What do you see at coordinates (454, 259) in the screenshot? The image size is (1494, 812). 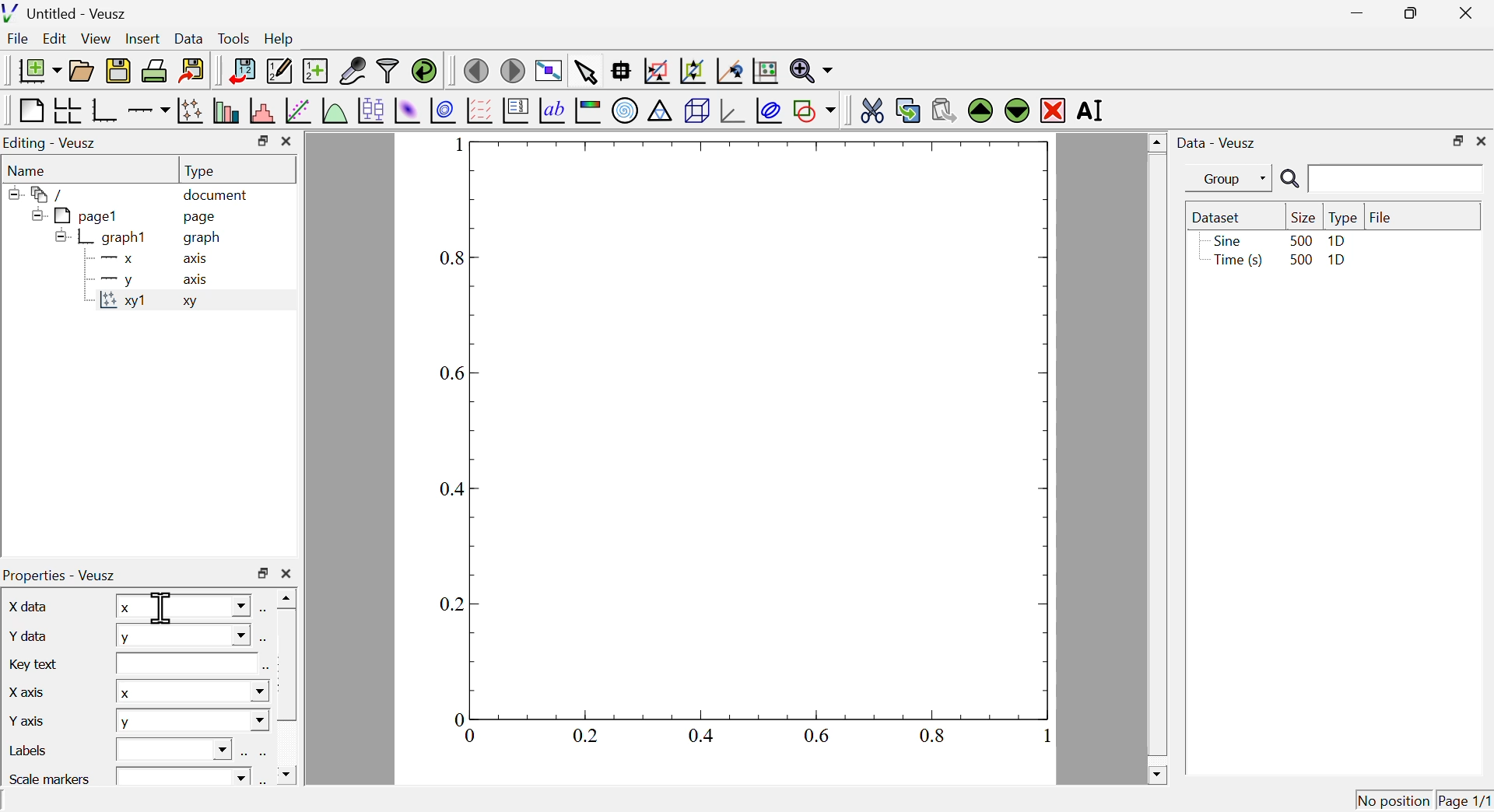 I see `0.8` at bounding box center [454, 259].